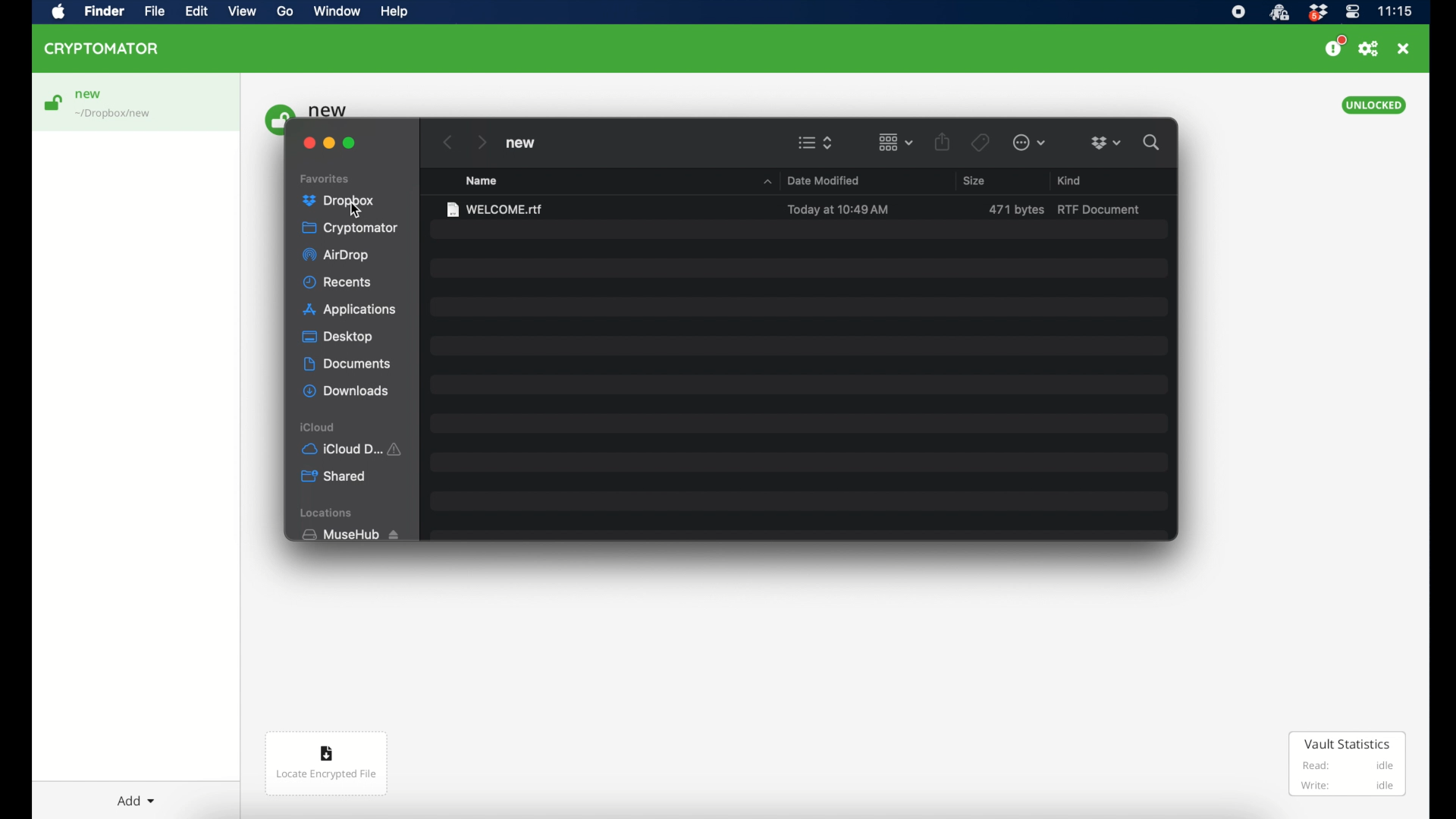  Describe the element at coordinates (350, 535) in the screenshot. I see `muse hub` at that location.